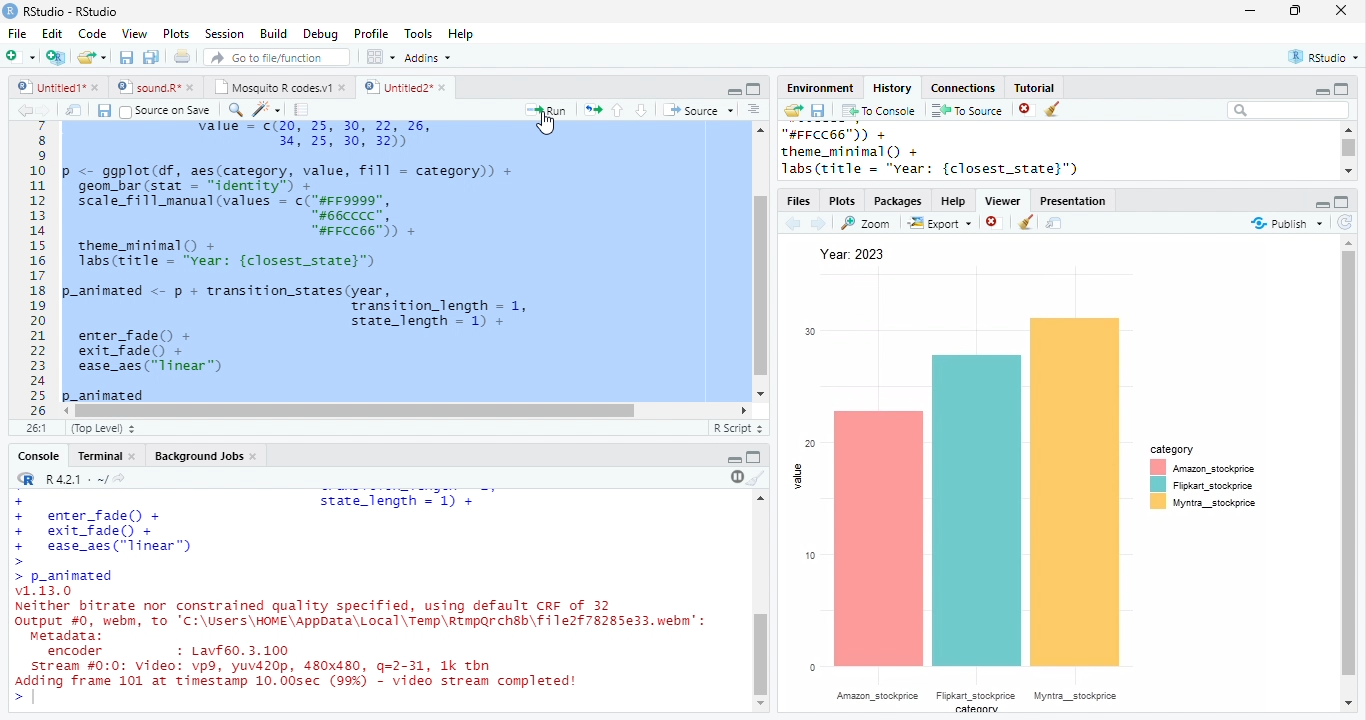  I want to click on To Console, so click(880, 111).